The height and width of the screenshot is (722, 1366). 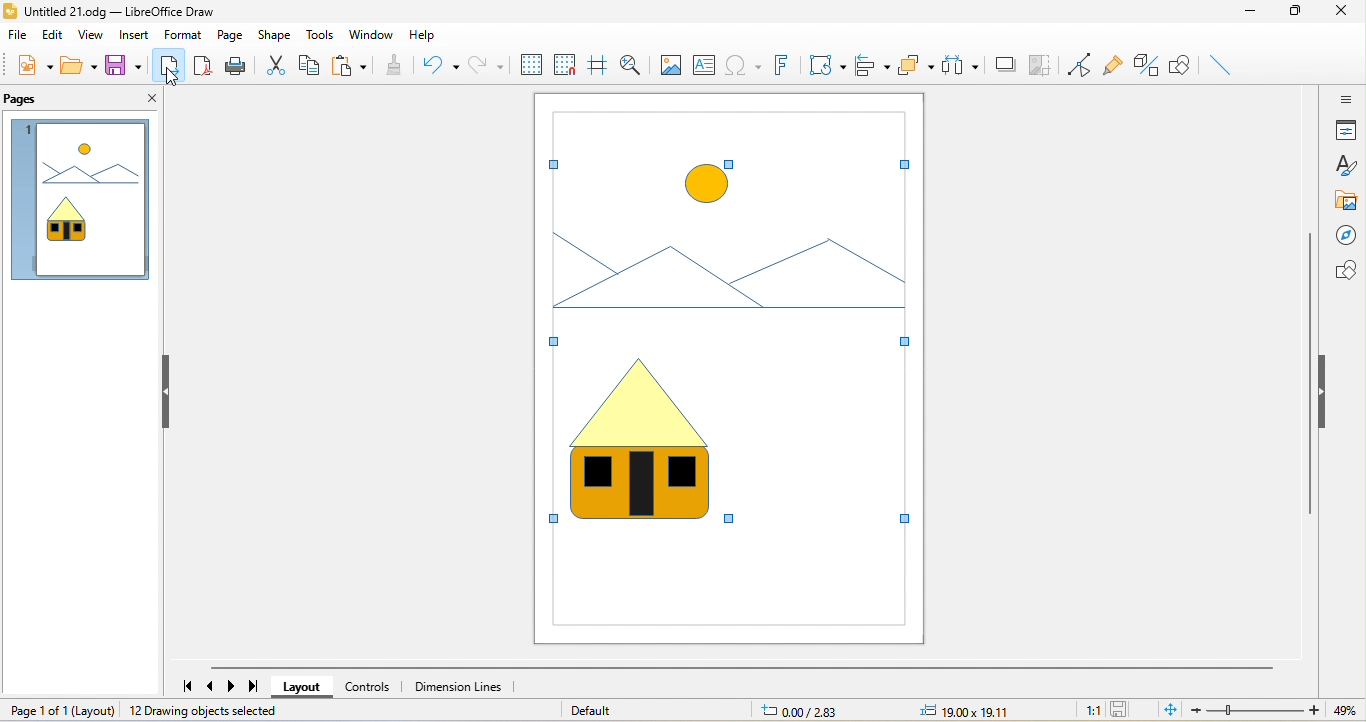 I want to click on open/ close sidebar, so click(x=1344, y=98).